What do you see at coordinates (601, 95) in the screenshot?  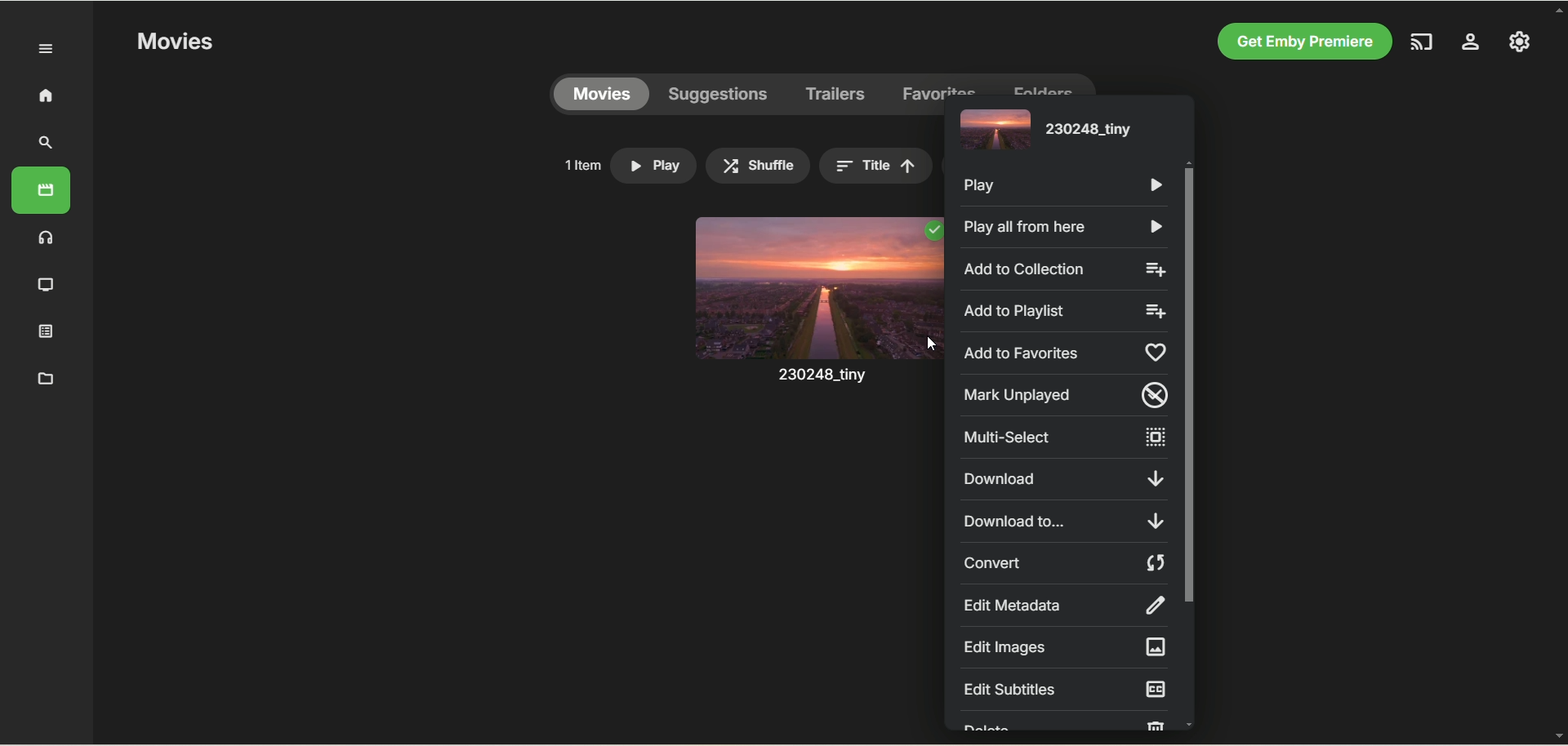 I see `movies` at bounding box center [601, 95].